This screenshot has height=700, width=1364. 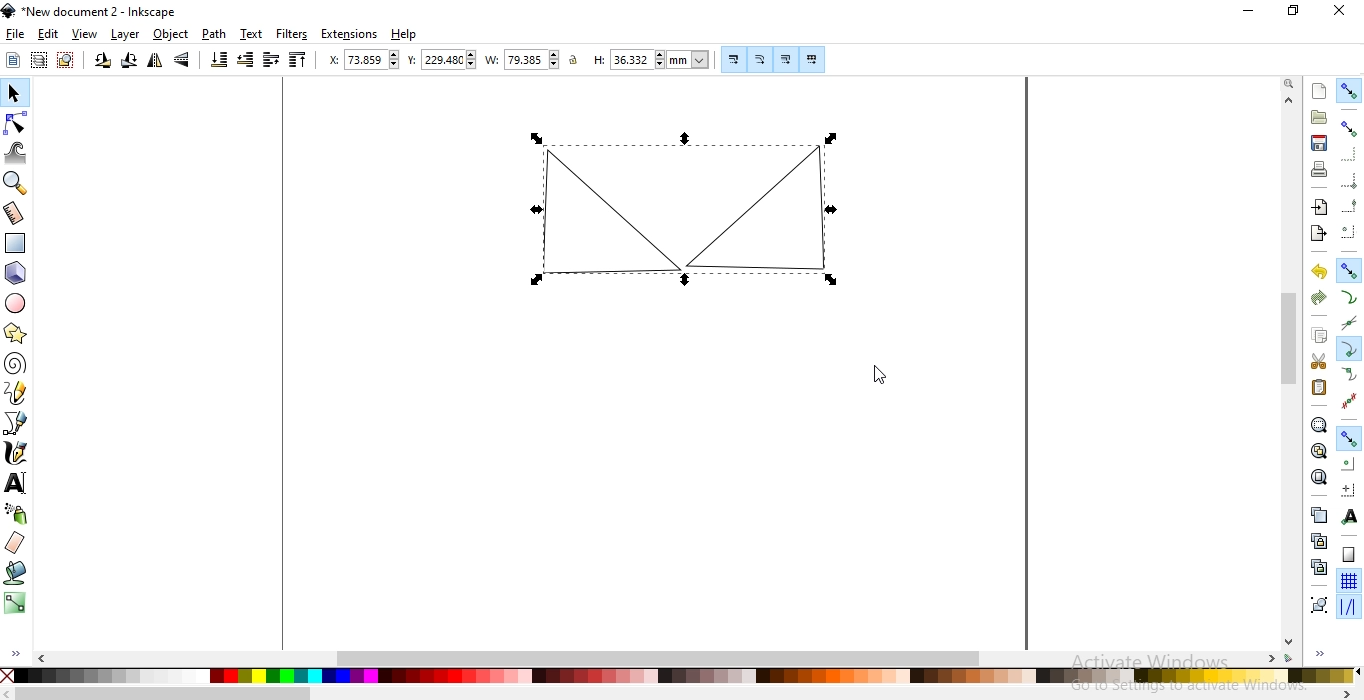 What do you see at coordinates (15, 93) in the screenshot?
I see `select and transform objects` at bounding box center [15, 93].